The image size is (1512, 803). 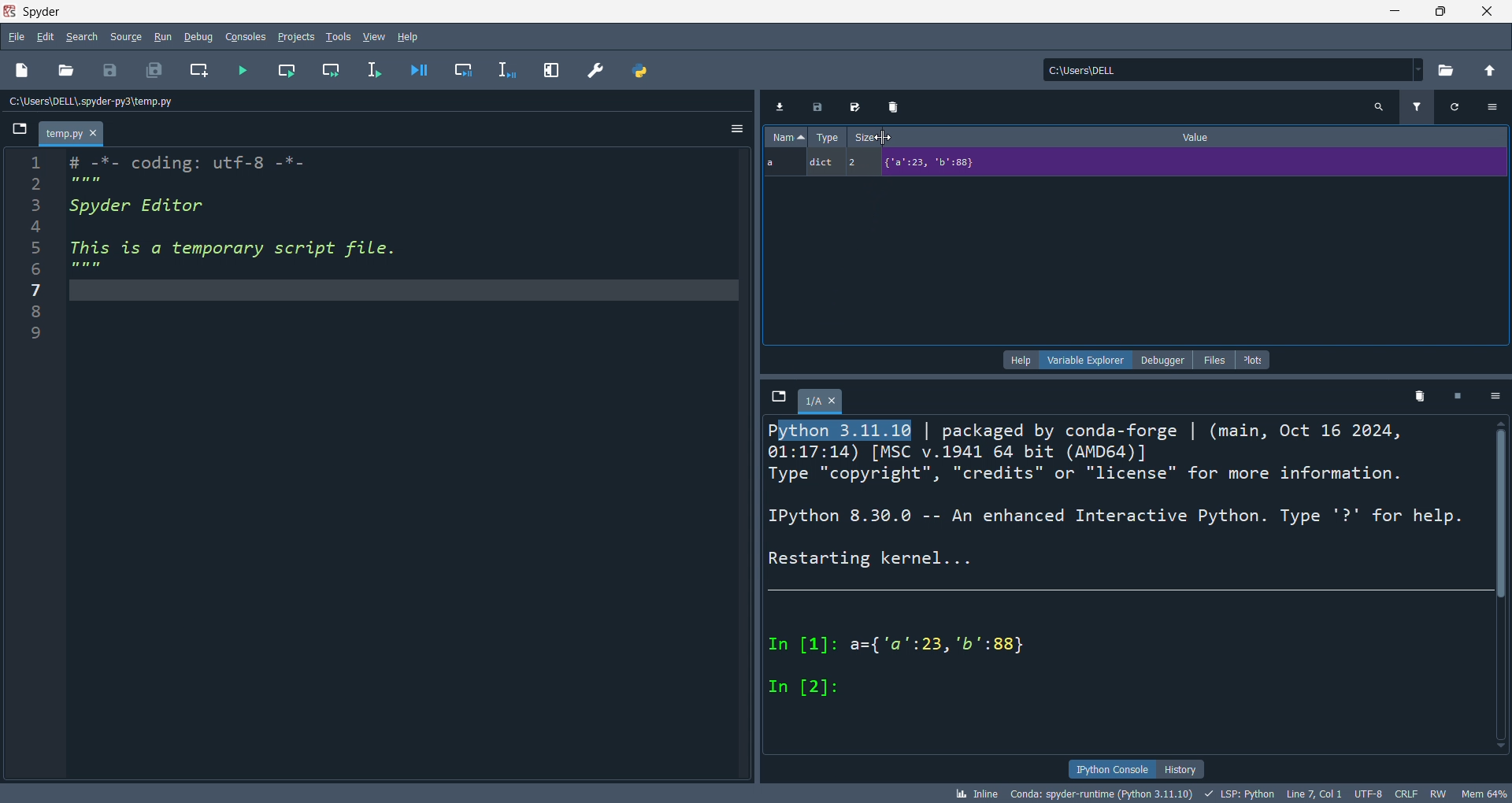 I want to click on tab, so click(x=821, y=400).